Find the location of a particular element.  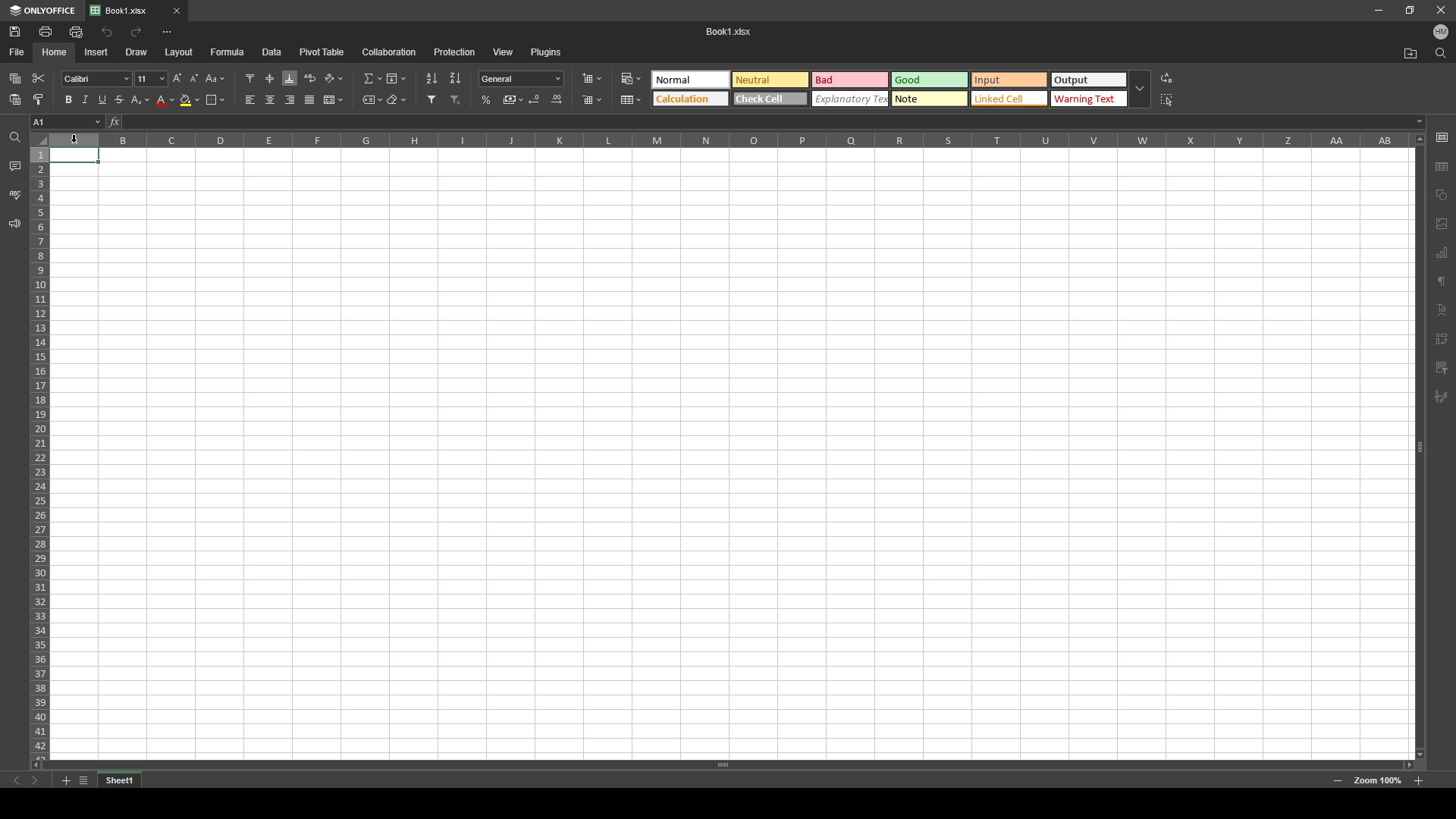

resize is located at coordinates (1410, 9).